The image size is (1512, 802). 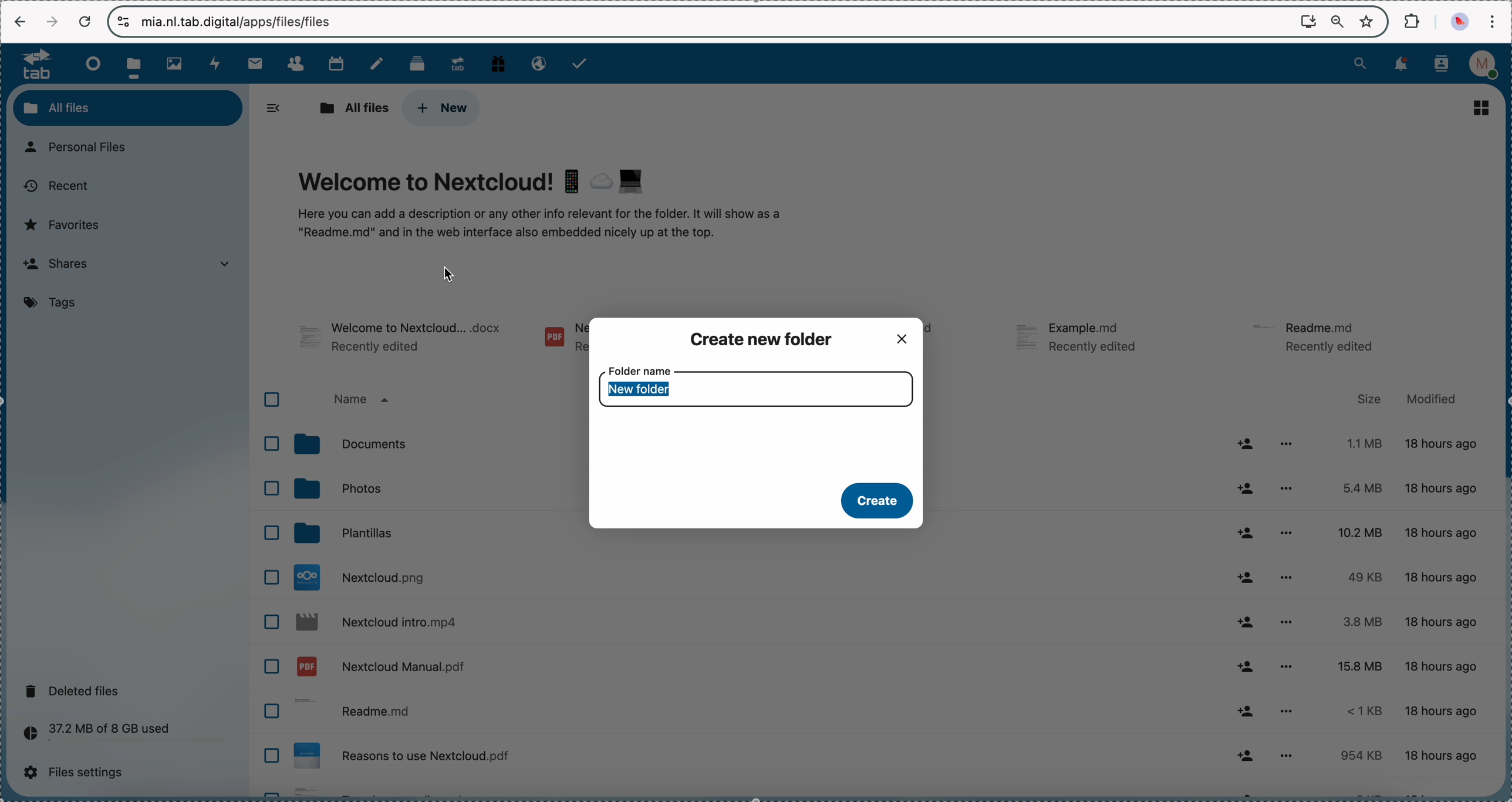 I want to click on share, so click(x=1248, y=664).